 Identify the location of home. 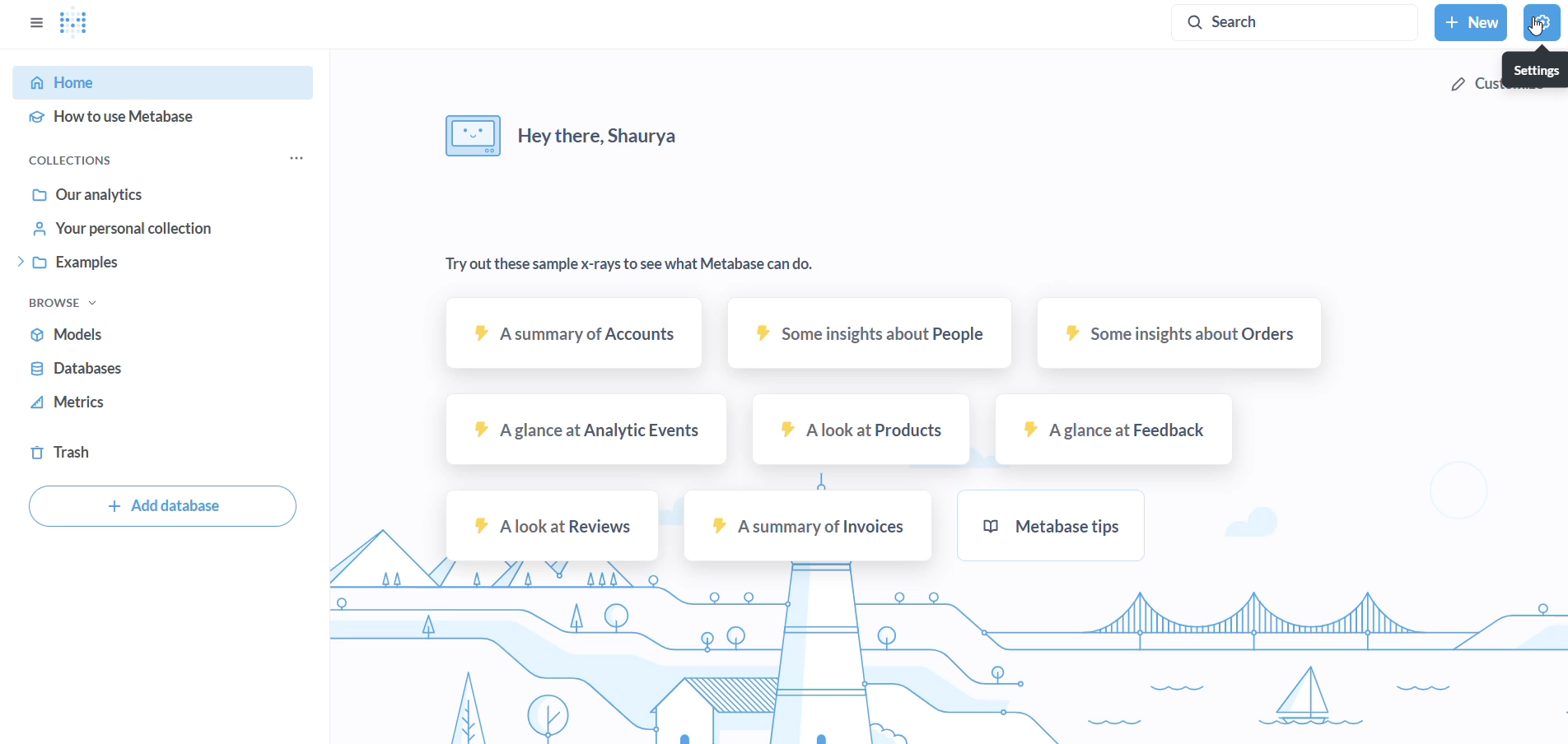
(161, 81).